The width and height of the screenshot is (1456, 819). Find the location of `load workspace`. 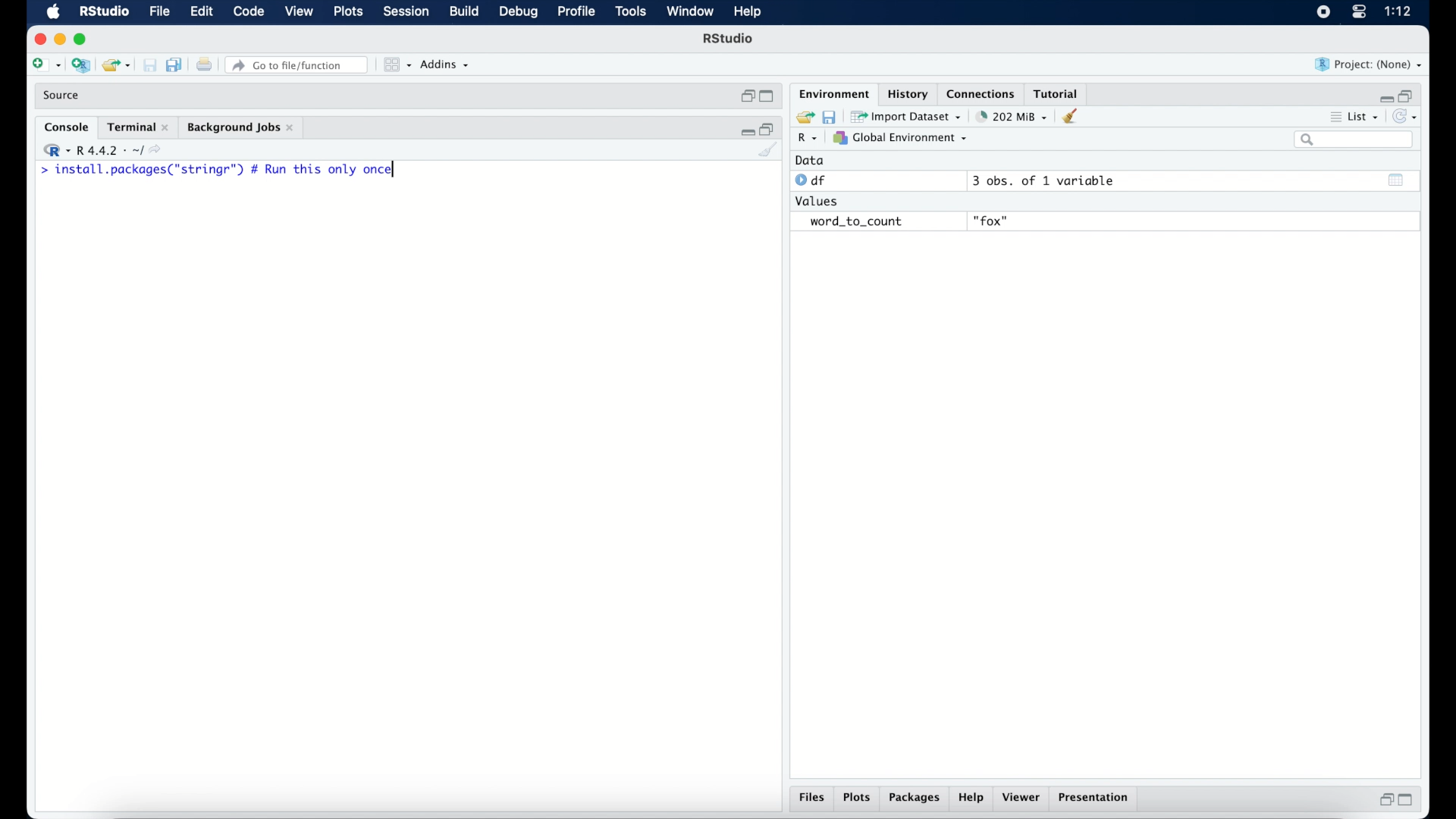

load workspace is located at coordinates (802, 118).